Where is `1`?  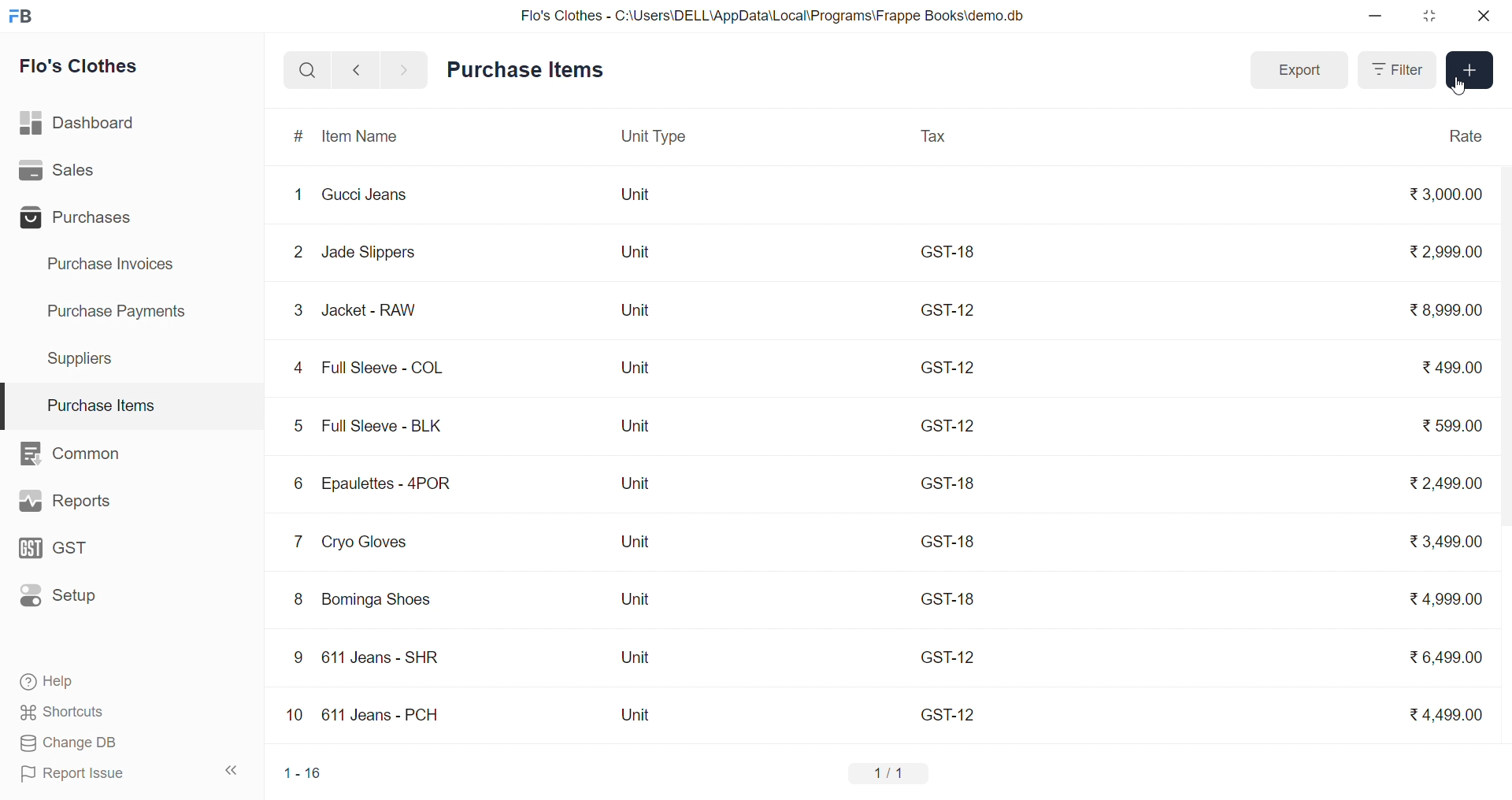 1 is located at coordinates (298, 195).